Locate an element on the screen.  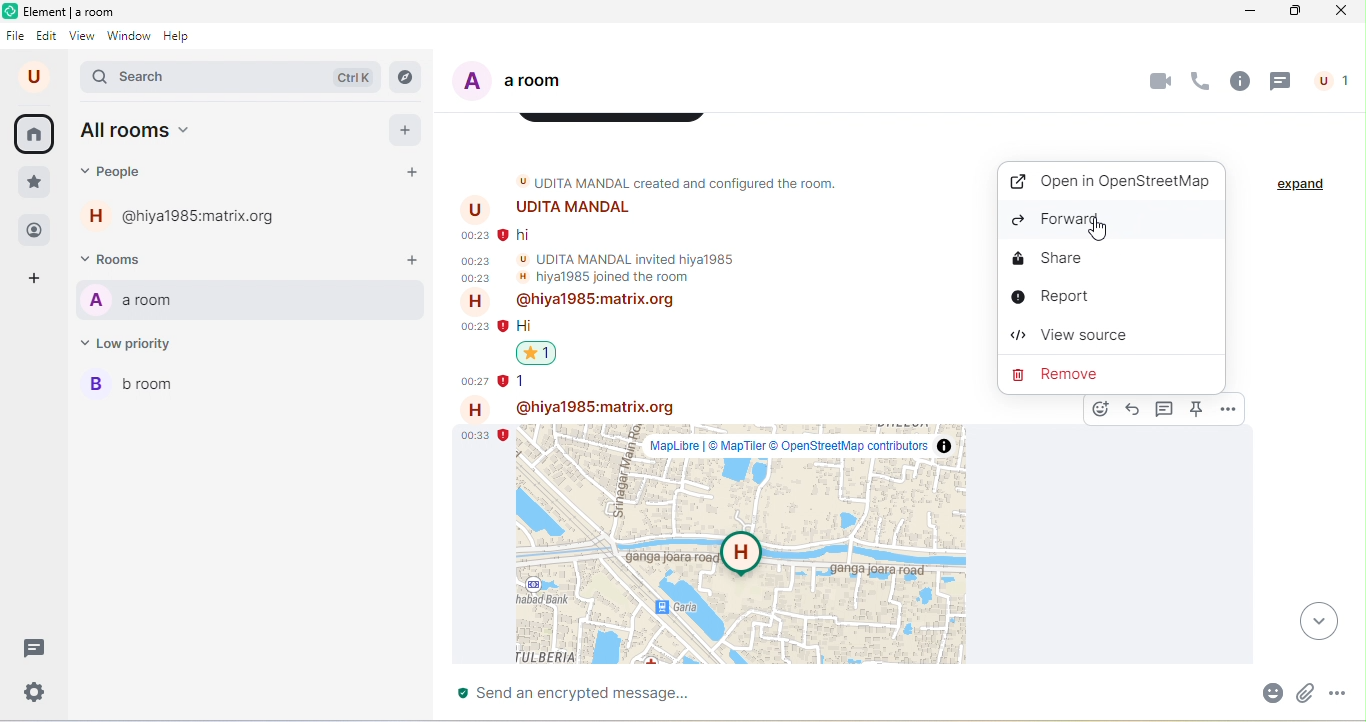
add room is located at coordinates (405, 255).